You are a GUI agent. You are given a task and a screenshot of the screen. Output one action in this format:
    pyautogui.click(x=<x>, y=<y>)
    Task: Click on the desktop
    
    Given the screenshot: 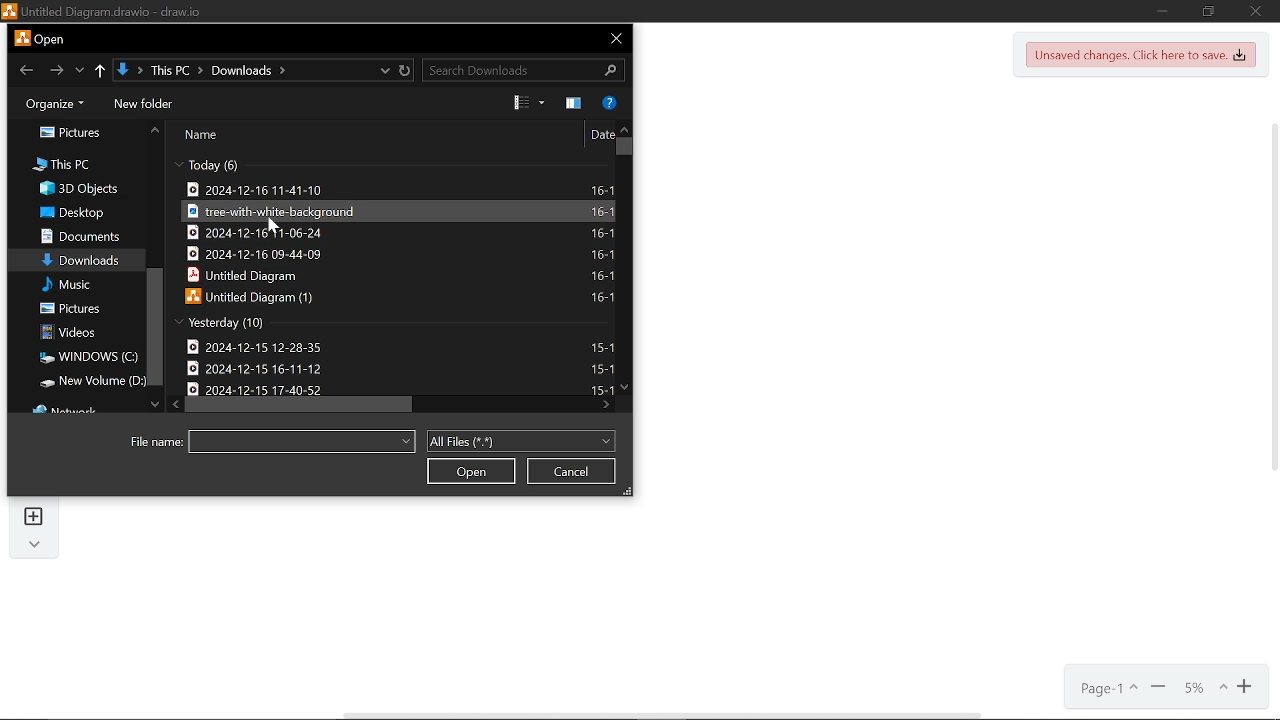 What is the action you would take?
    pyautogui.click(x=77, y=212)
    